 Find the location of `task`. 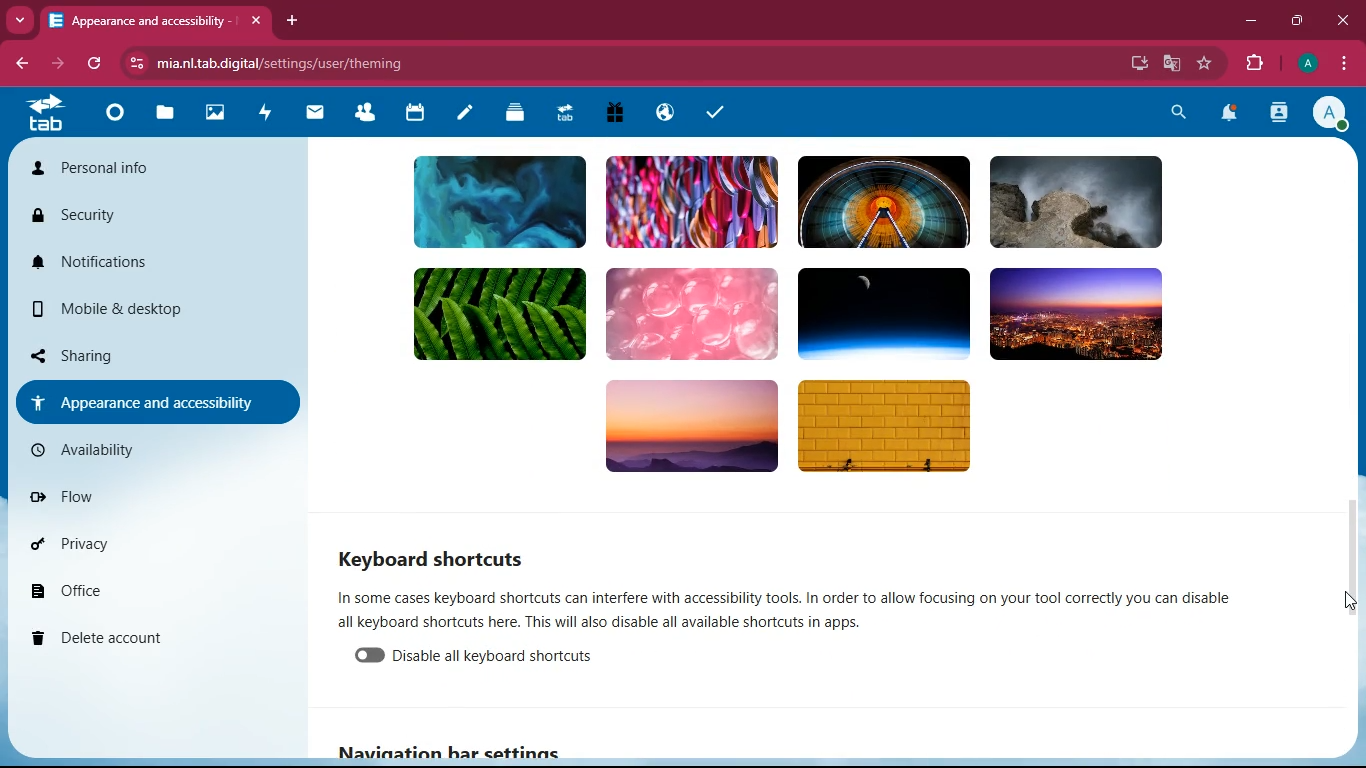

task is located at coordinates (719, 115).